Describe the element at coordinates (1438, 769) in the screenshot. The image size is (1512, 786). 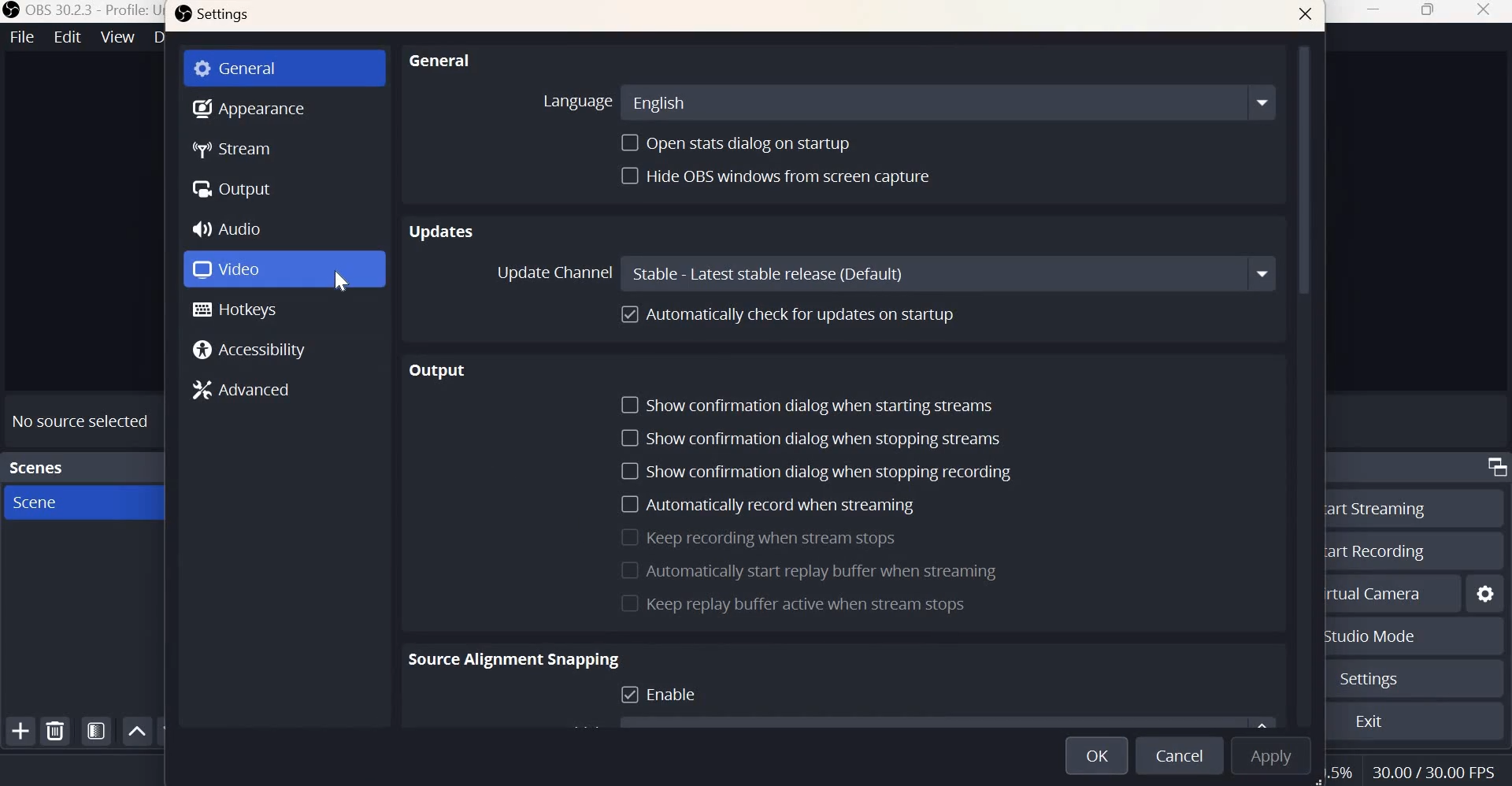
I see `Frame Rate (FPS)` at that location.